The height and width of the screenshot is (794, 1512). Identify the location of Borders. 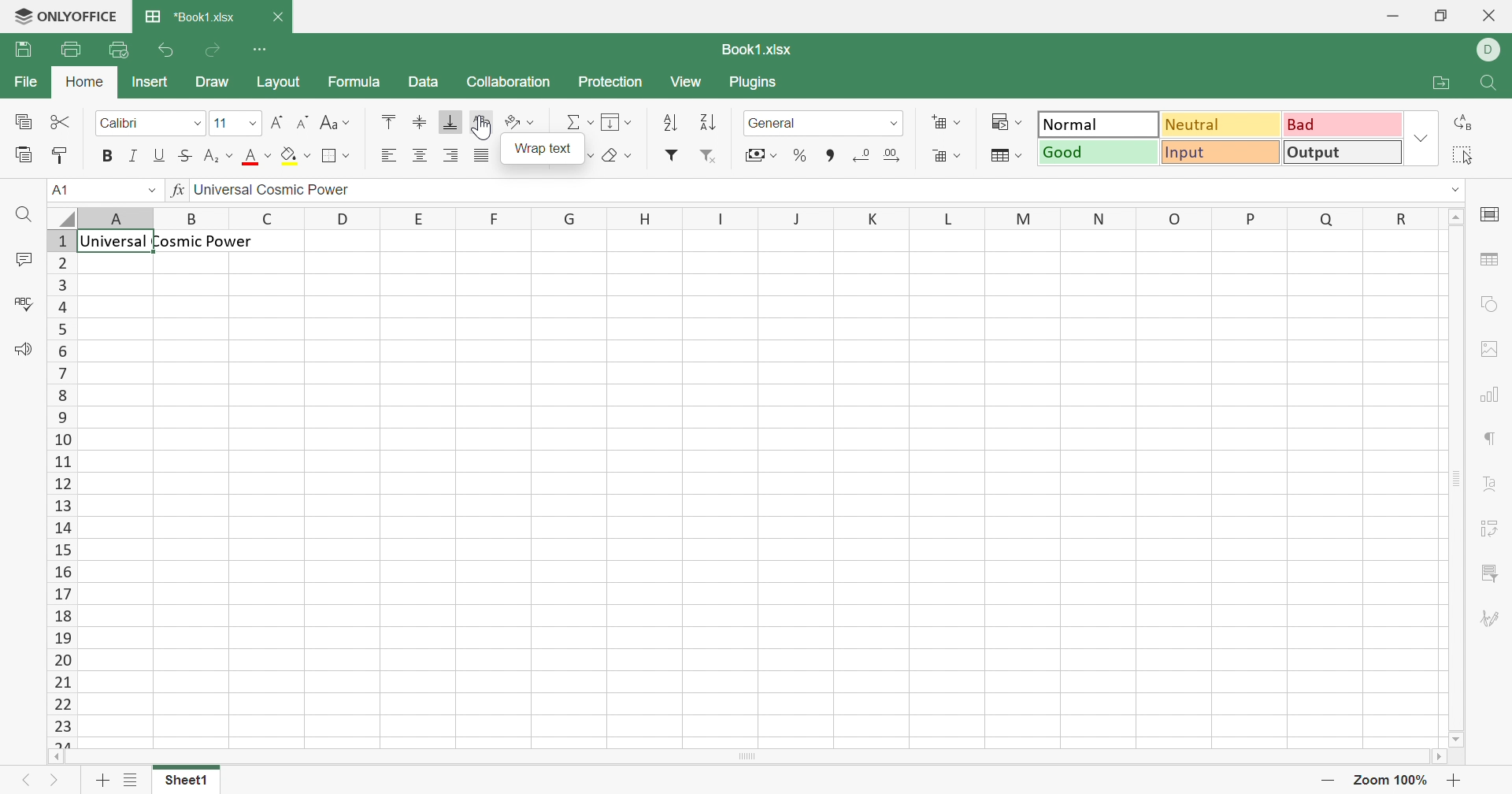
(339, 157).